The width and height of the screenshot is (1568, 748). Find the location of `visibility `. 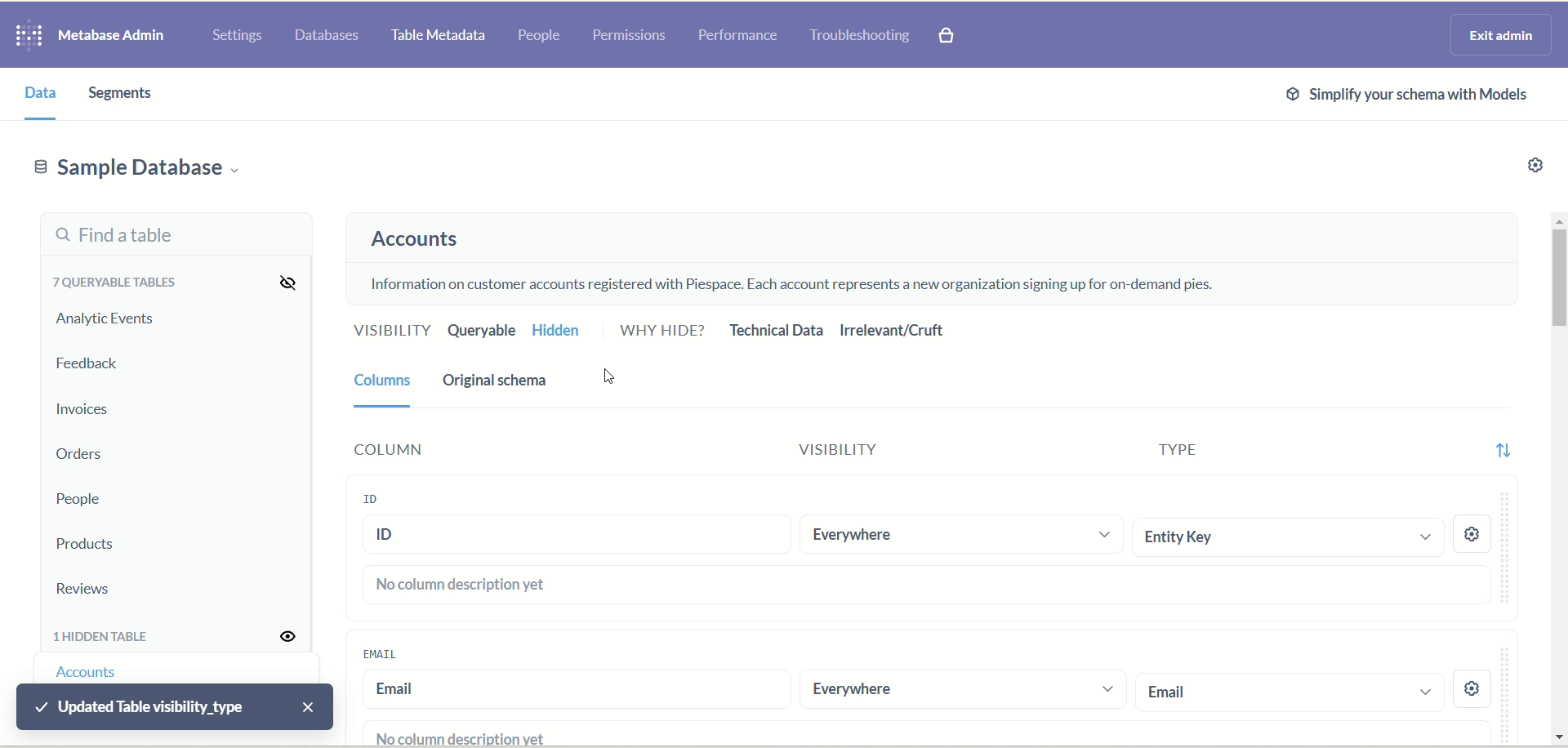

visibility  is located at coordinates (291, 284).